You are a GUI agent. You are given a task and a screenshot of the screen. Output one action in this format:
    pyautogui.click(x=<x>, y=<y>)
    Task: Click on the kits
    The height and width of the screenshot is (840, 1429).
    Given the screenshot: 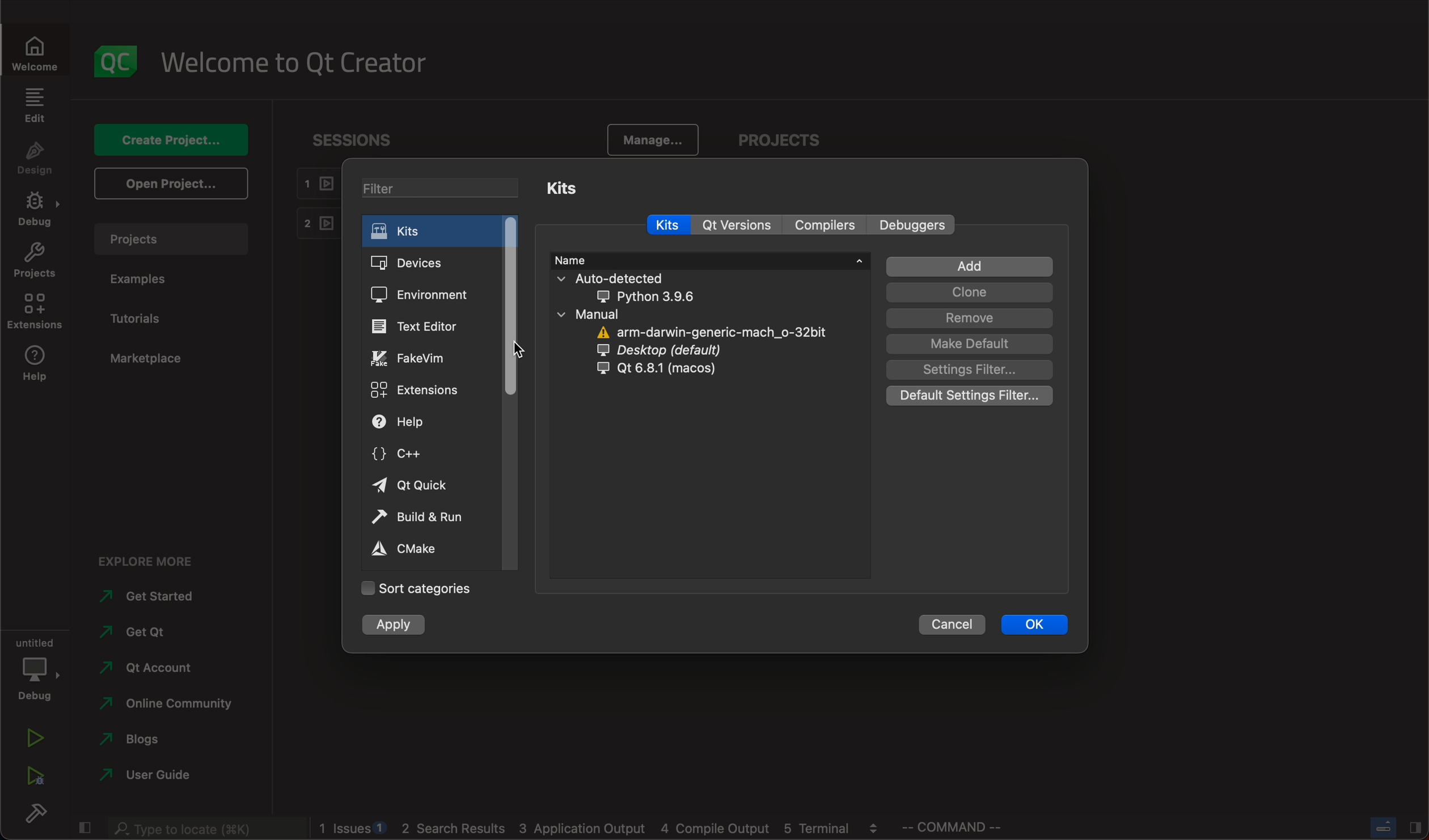 What is the action you would take?
    pyautogui.click(x=667, y=225)
    